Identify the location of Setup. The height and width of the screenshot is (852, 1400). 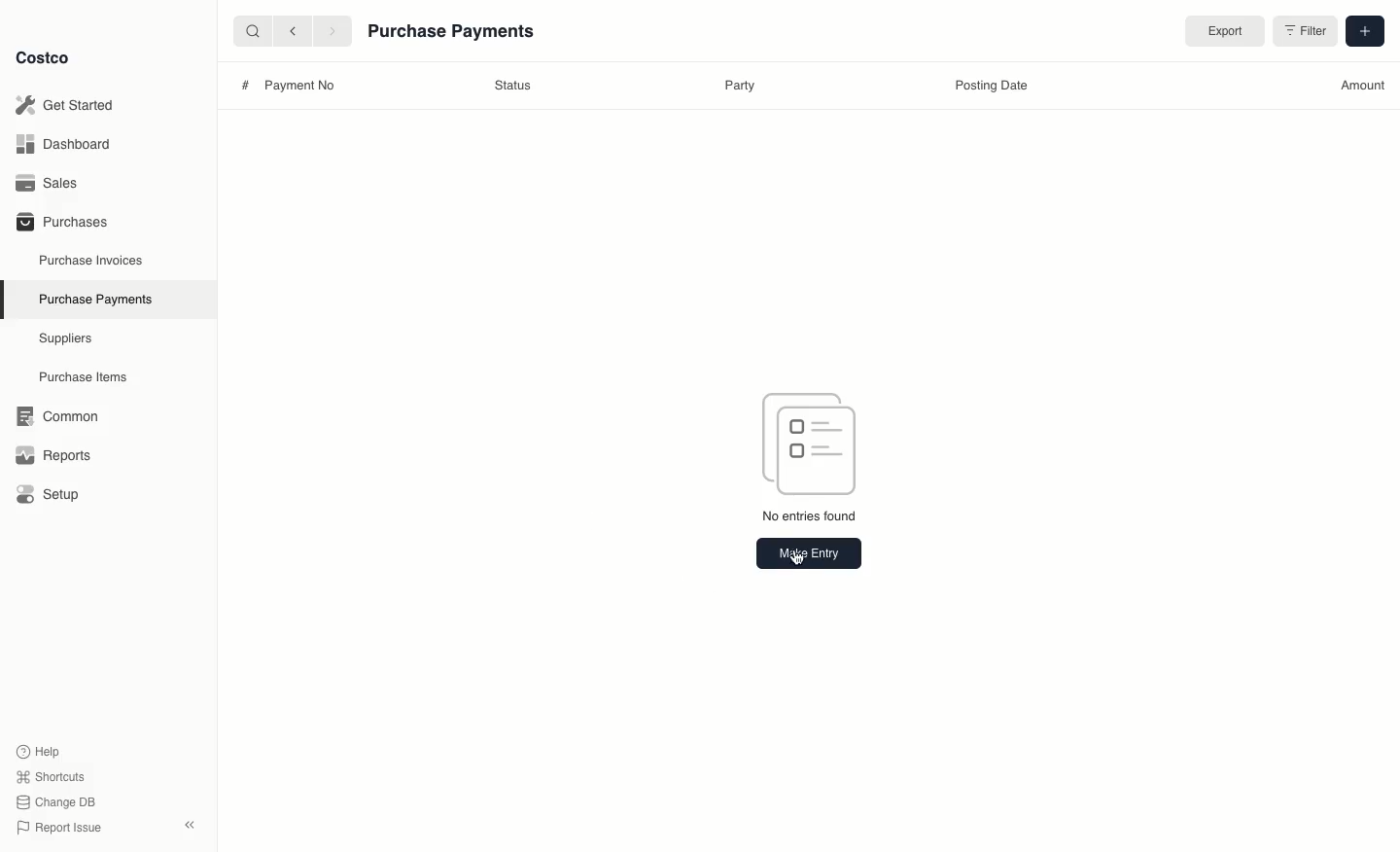
(54, 496).